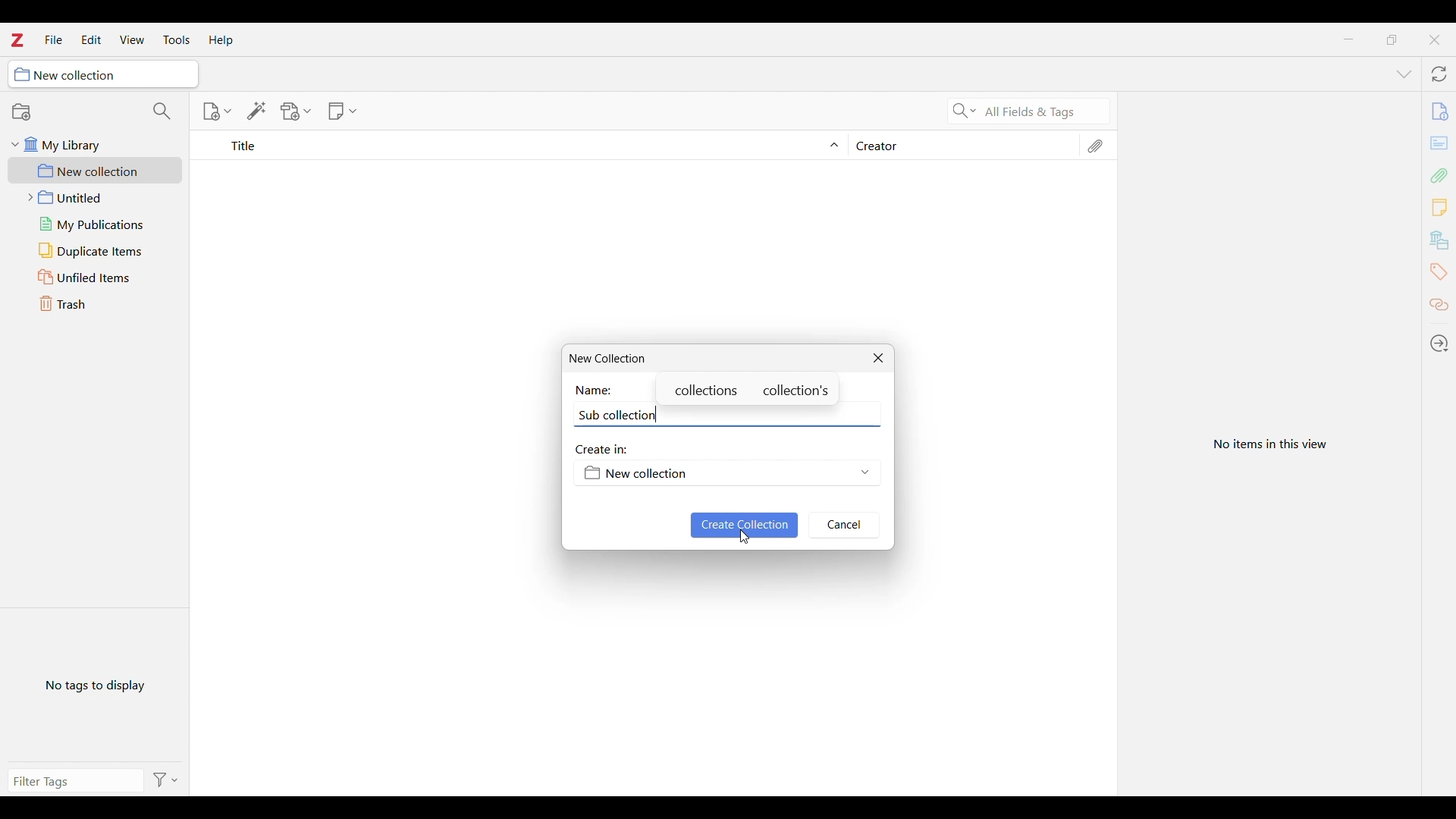 The width and height of the screenshot is (1456, 819). I want to click on Create in:, so click(602, 450).